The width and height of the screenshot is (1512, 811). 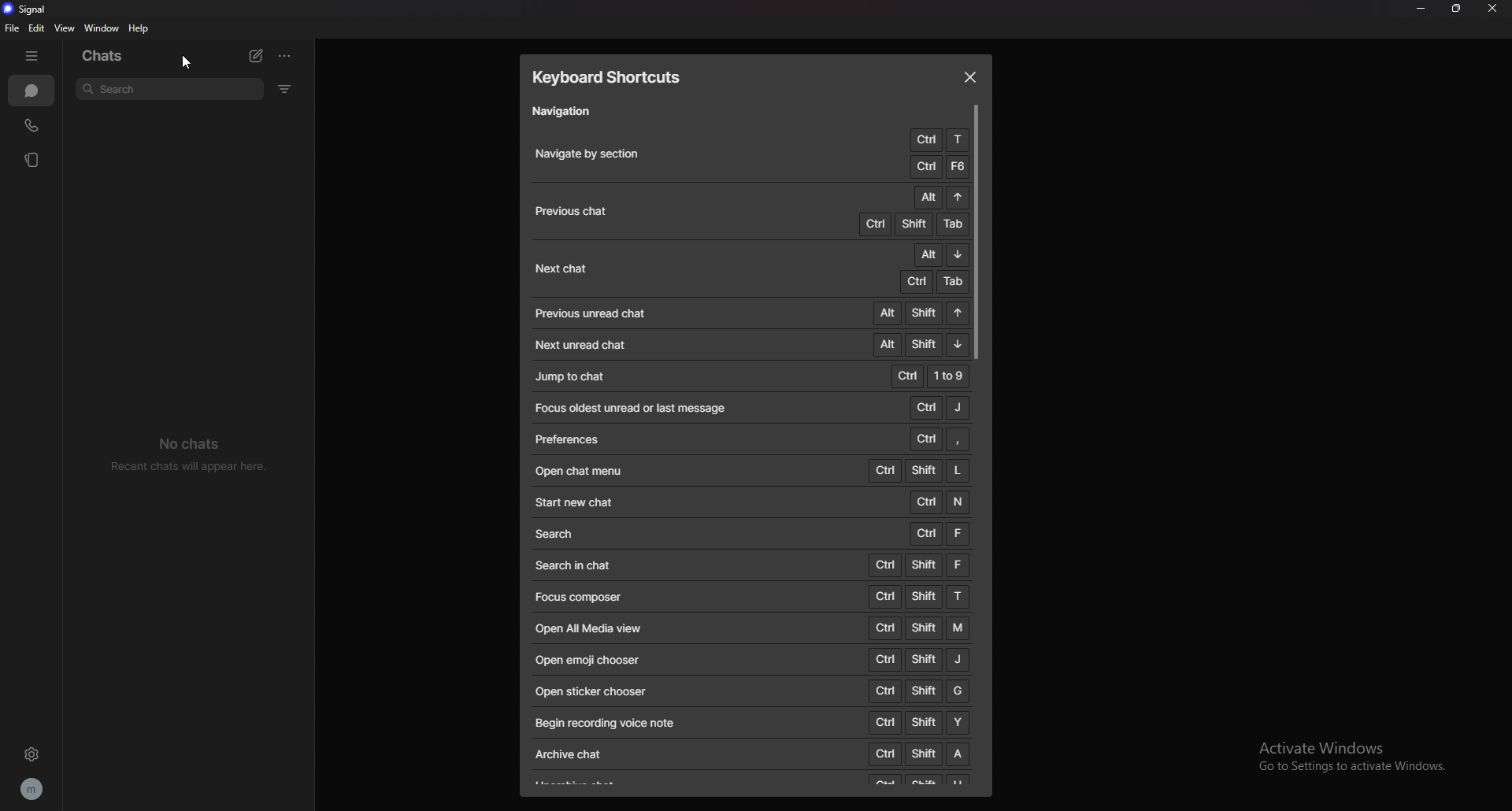 What do you see at coordinates (939, 197) in the screenshot?
I see `ALT + UP` at bounding box center [939, 197].